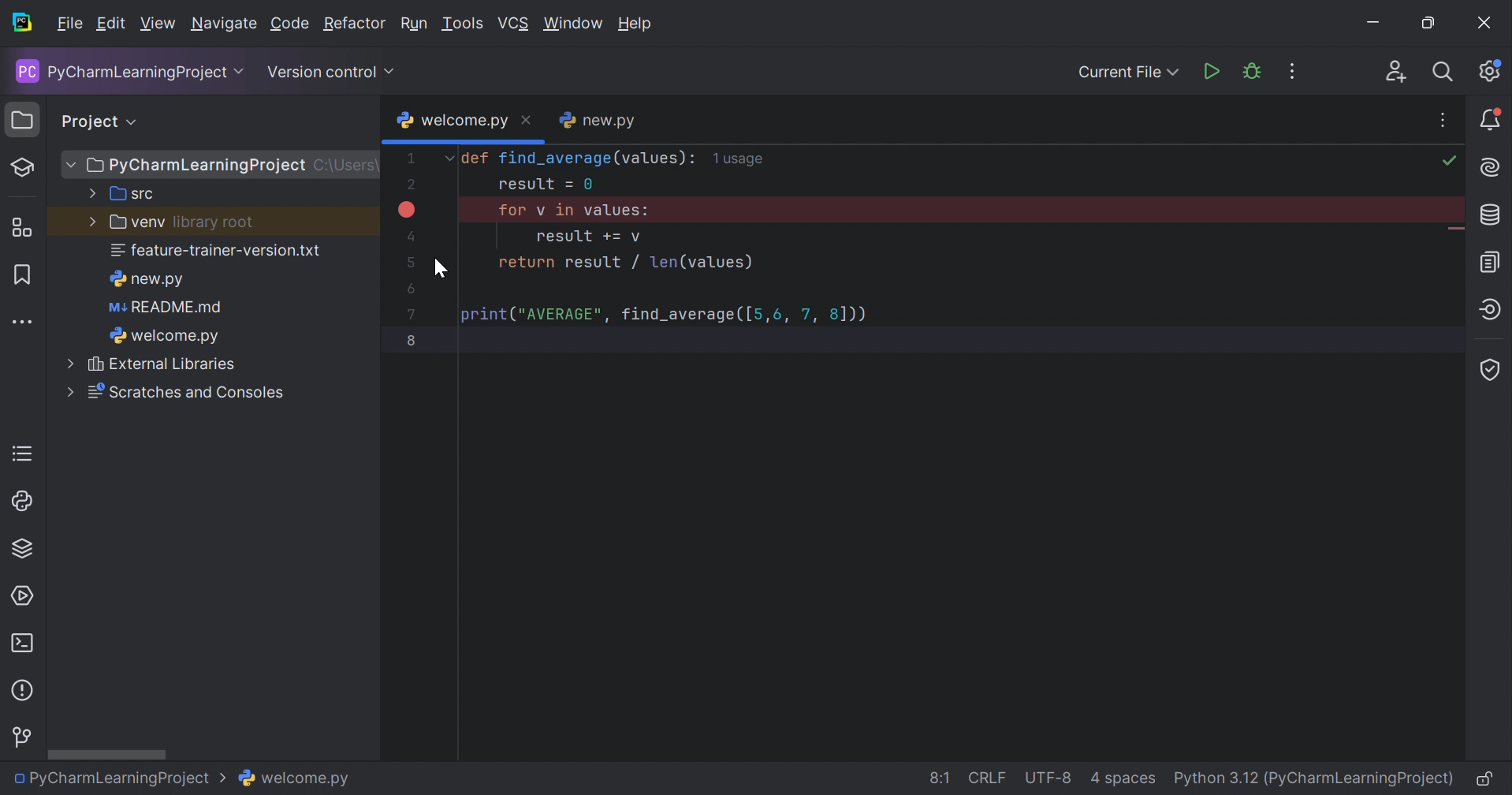 The image size is (1512, 795). What do you see at coordinates (1446, 72) in the screenshot?
I see `Search everywhere` at bounding box center [1446, 72].